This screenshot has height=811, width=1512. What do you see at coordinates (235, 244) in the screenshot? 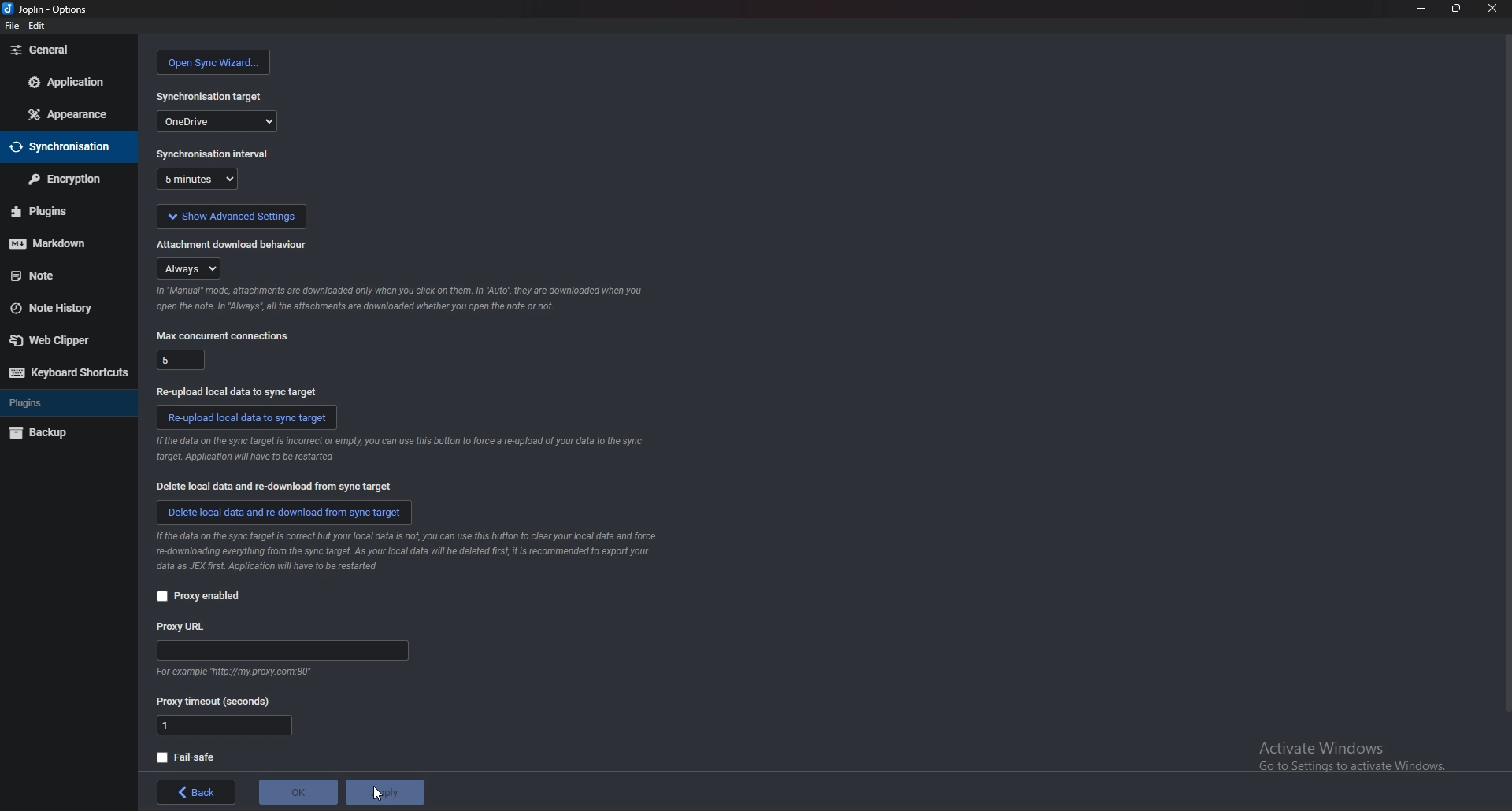
I see `attachment doownload behaviour` at bounding box center [235, 244].